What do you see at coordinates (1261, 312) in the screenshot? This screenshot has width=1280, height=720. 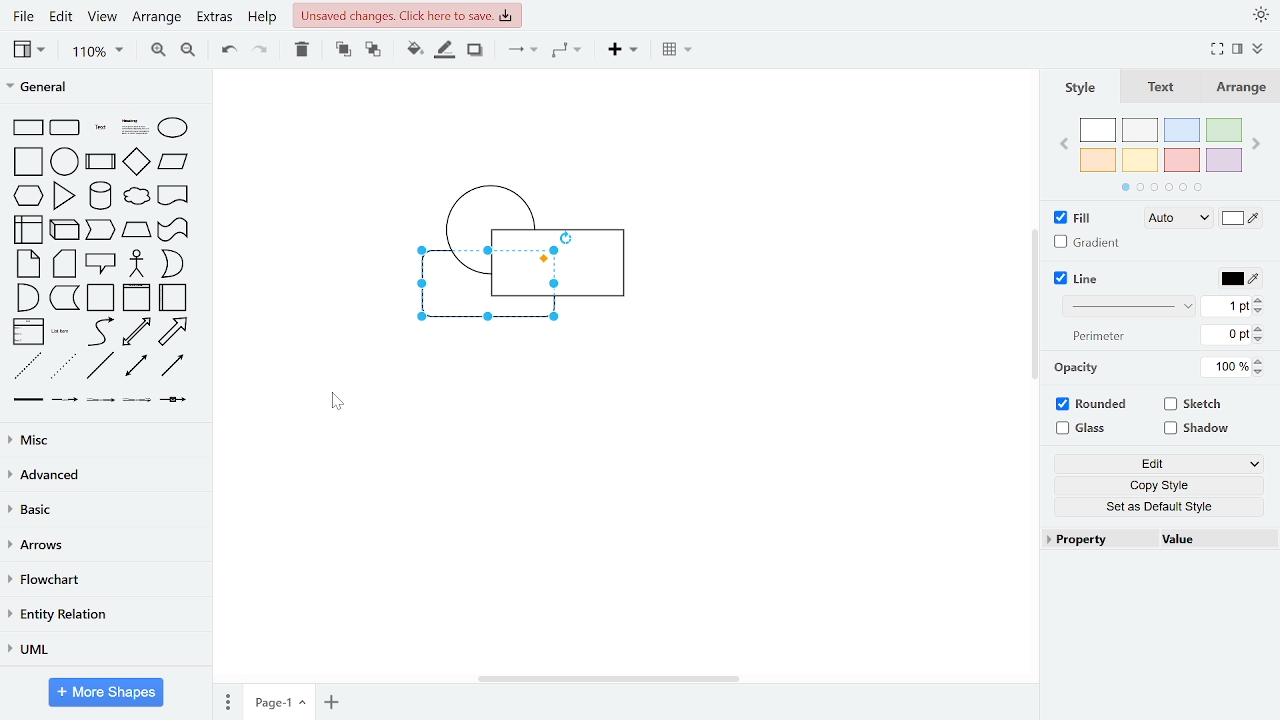 I see `decrease line width` at bounding box center [1261, 312].